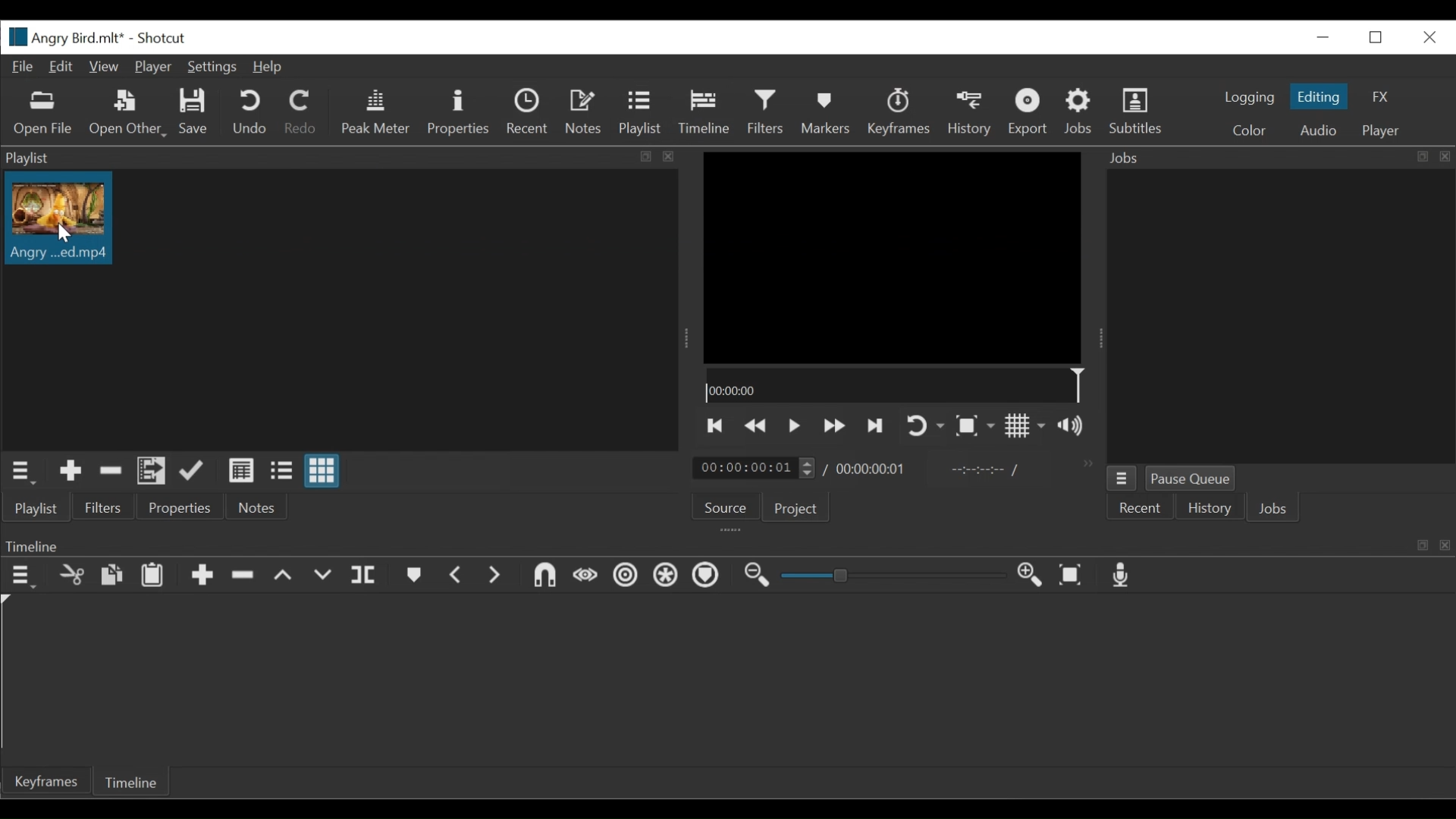 The height and width of the screenshot is (819, 1456). What do you see at coordinates (1322, 130) in the screenshot?
I see `Audio` at bounding box center [1322, 130].